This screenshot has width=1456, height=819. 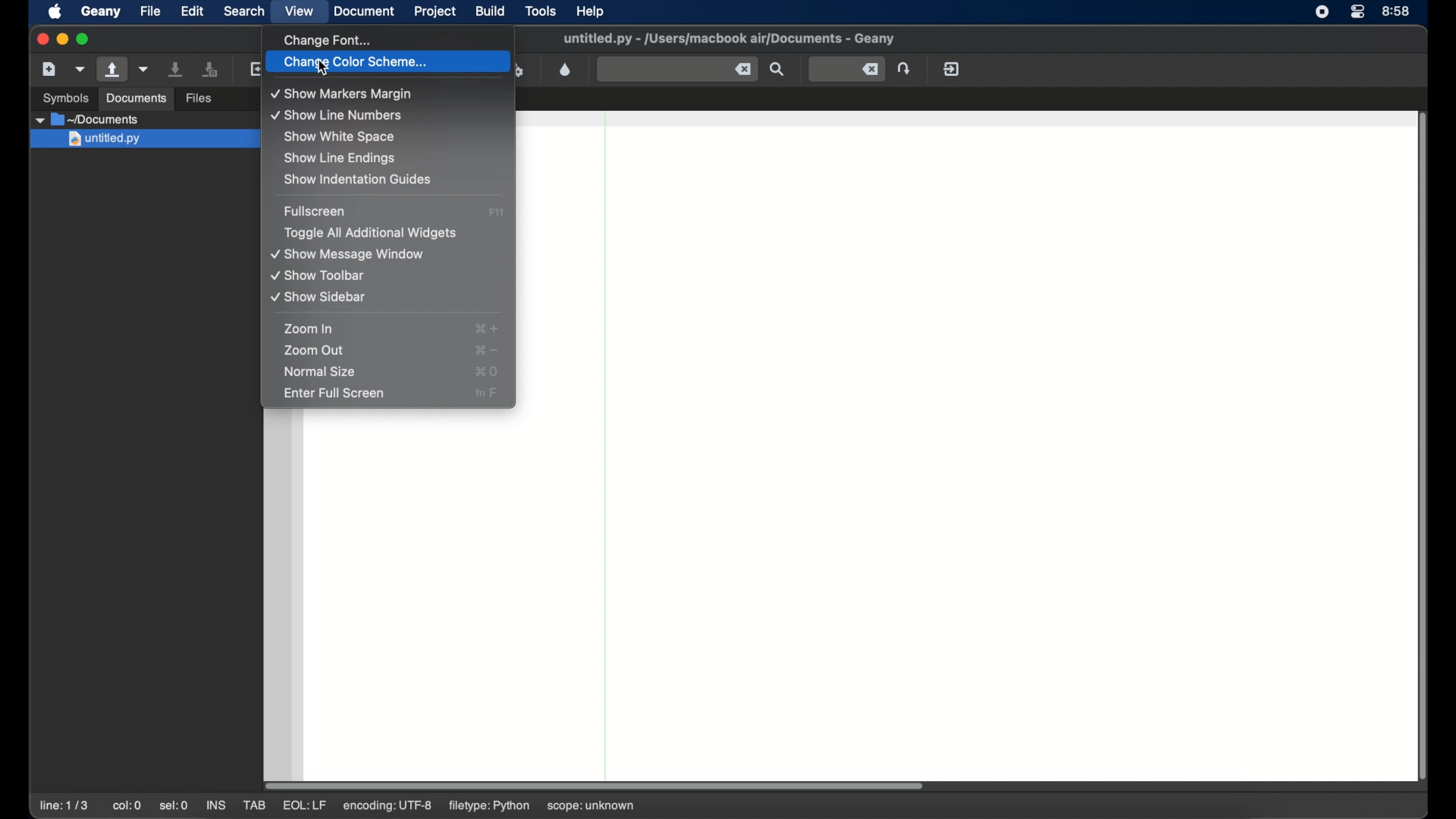 What do you see at coordinates (347, 255) in the screenshot?
I see `show message window` at bounding box center [347, 255].